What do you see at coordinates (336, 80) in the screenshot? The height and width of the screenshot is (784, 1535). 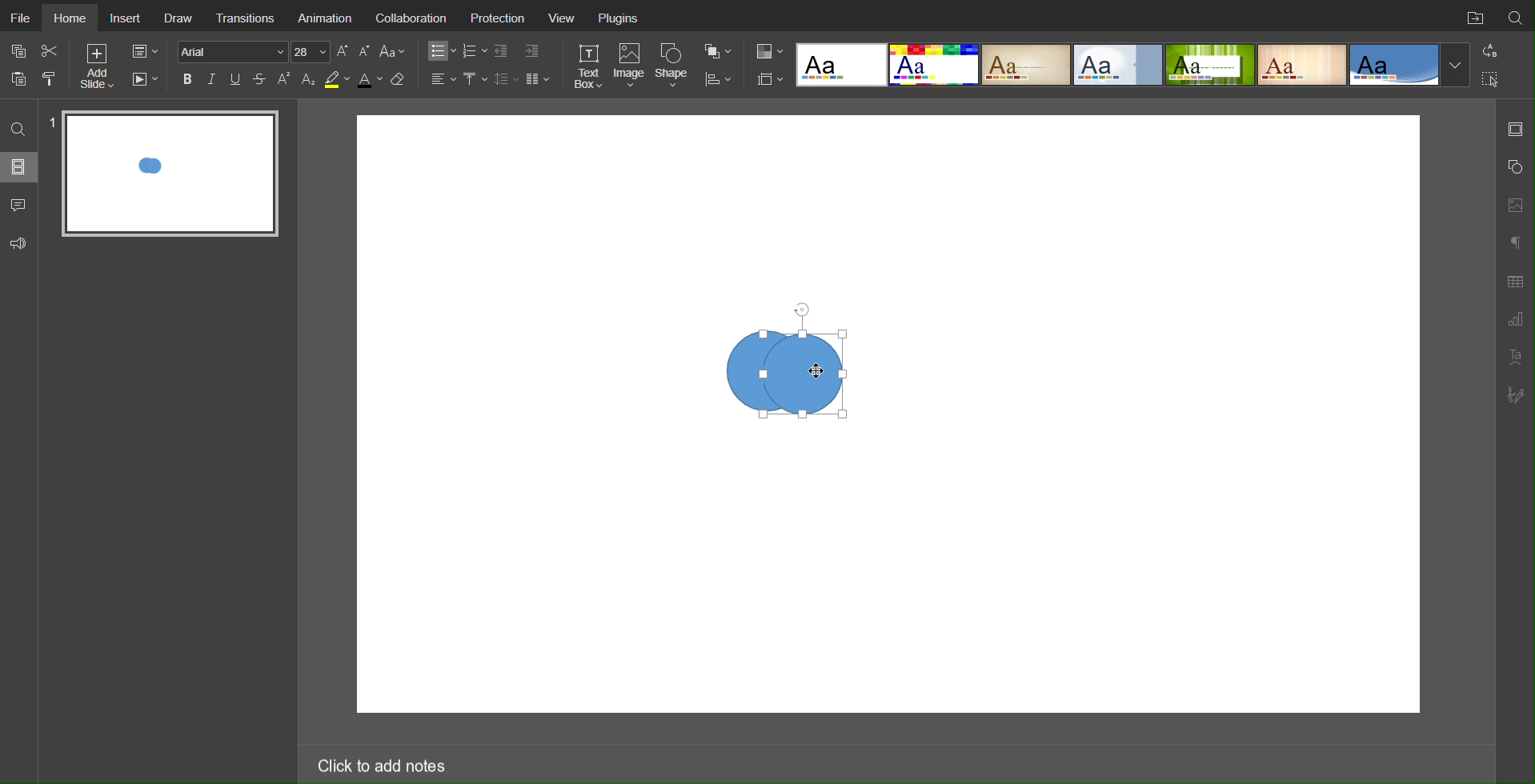 I see `Highlight` at bounding box center [336, 80].